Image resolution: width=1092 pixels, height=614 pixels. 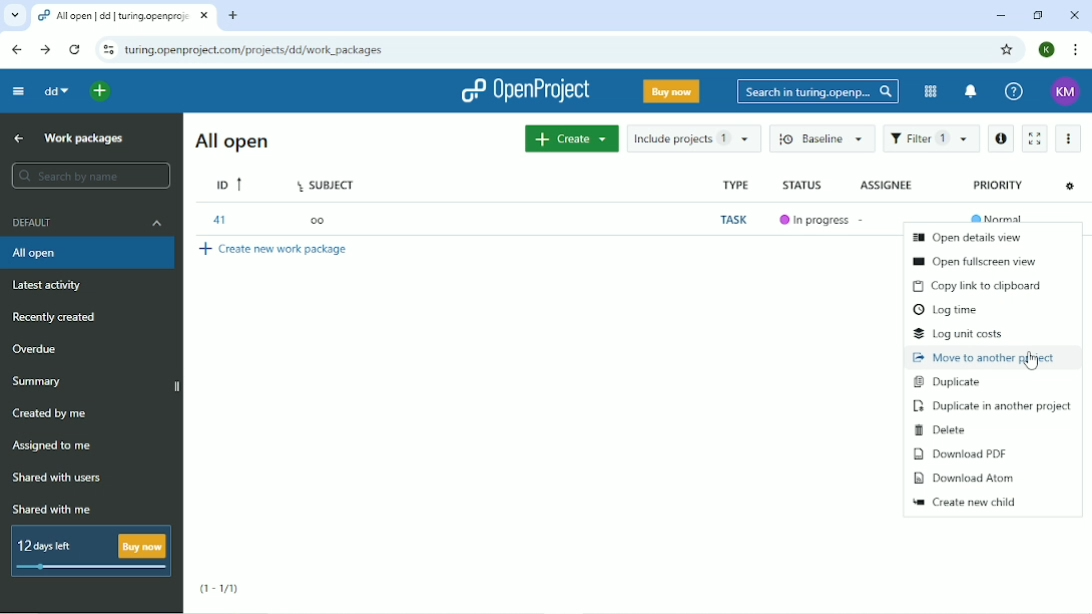 I want to click on cursor, so click(x=1031, y=364).